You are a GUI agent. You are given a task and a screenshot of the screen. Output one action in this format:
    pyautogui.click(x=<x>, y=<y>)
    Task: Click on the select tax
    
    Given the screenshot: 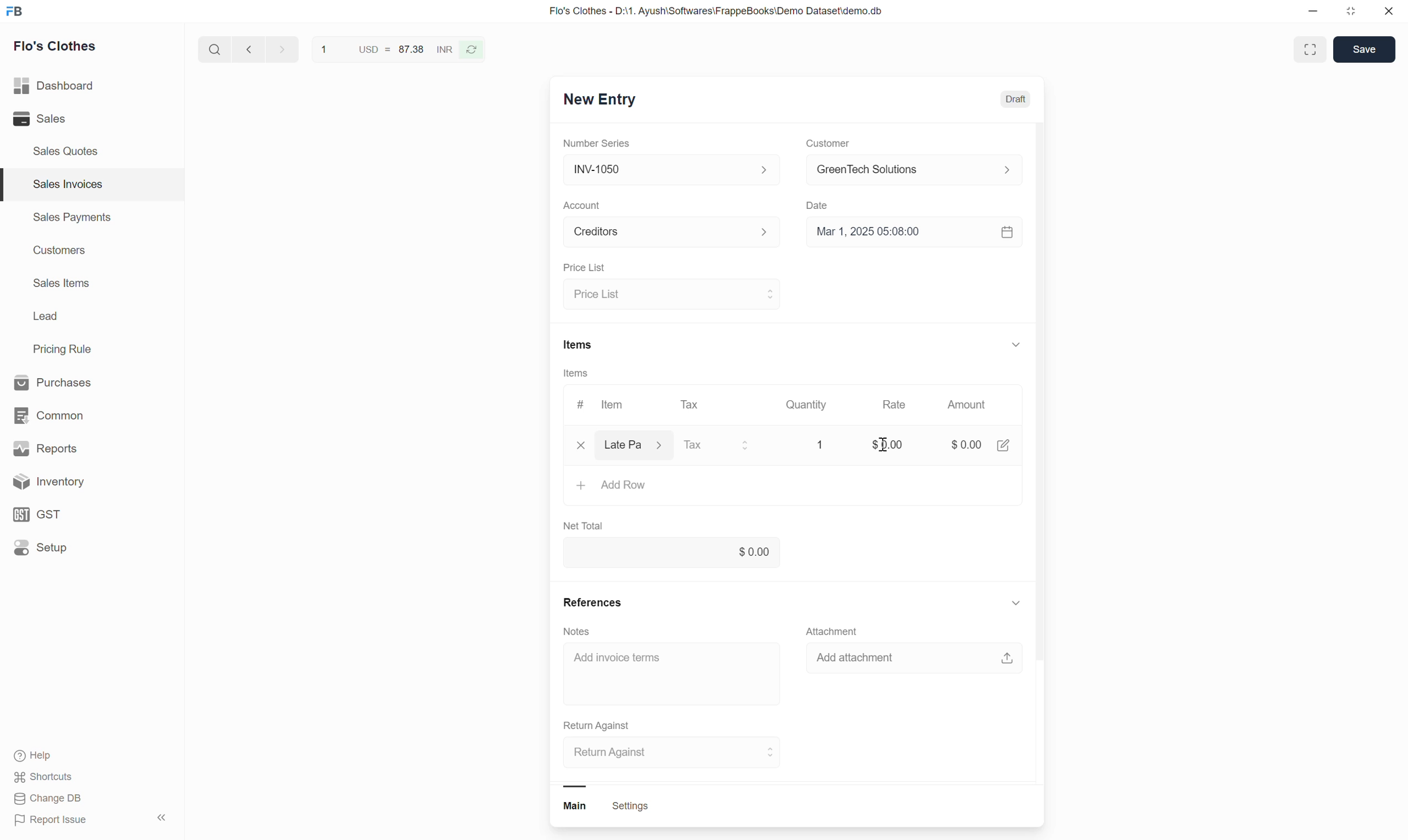 What is the action you would take?
    pyautogui.click(x=718, y=444)
    